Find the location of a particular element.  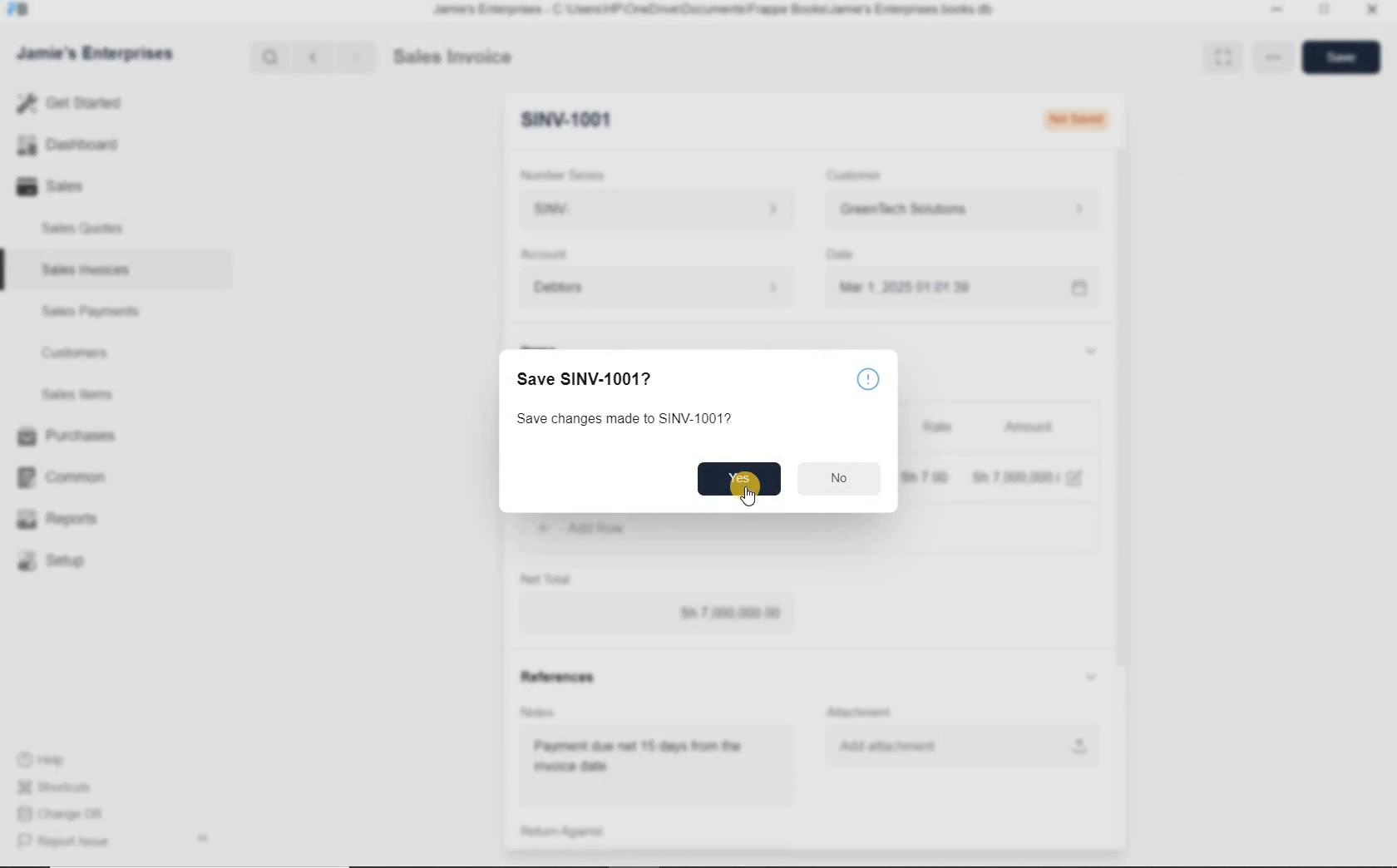

Save changes made to SINV-1001? is located at coordinates (664, 421).